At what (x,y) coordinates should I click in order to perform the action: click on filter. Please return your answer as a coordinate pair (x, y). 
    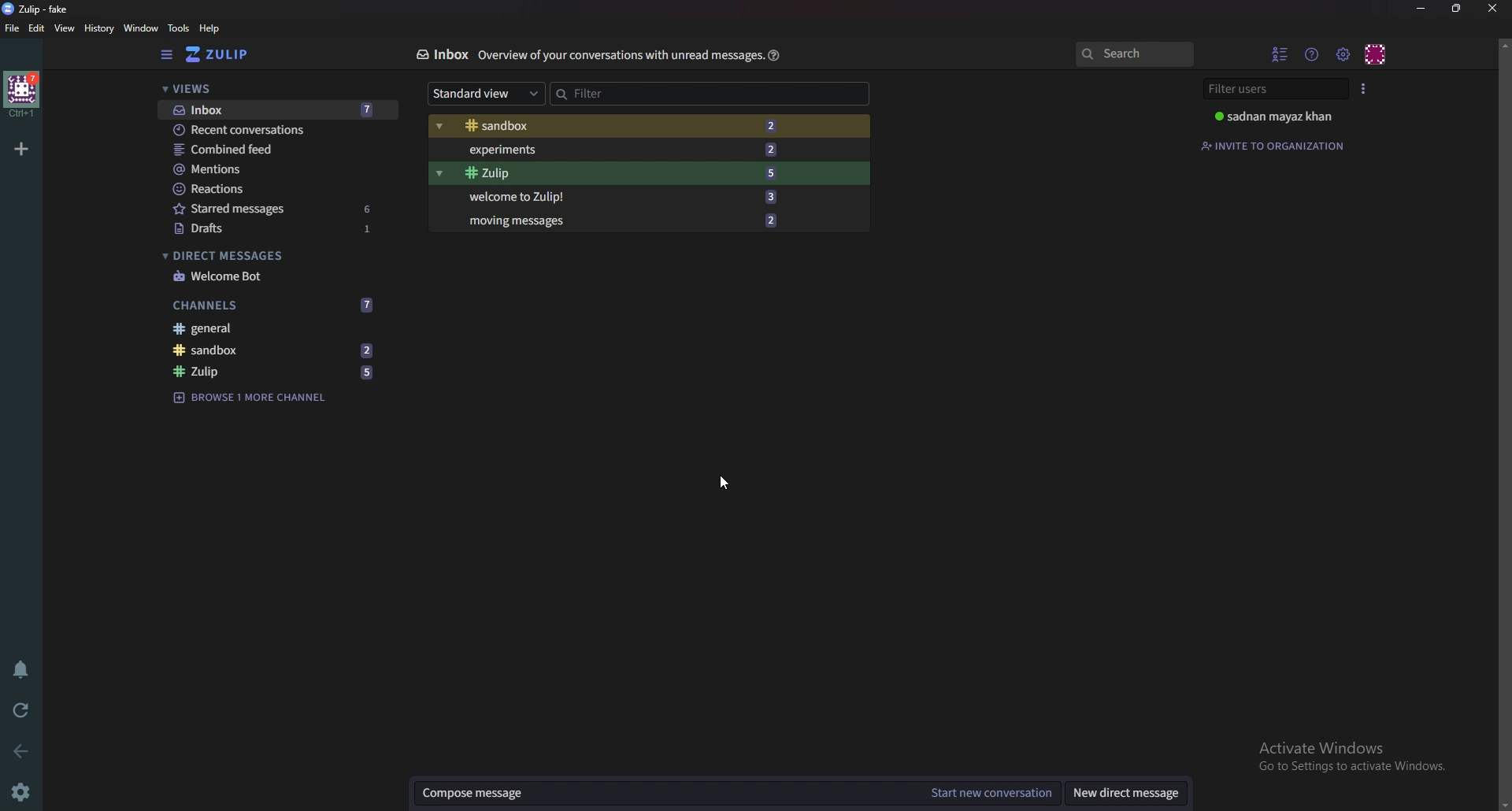
    Looking at the image, I should click on (701, 94).